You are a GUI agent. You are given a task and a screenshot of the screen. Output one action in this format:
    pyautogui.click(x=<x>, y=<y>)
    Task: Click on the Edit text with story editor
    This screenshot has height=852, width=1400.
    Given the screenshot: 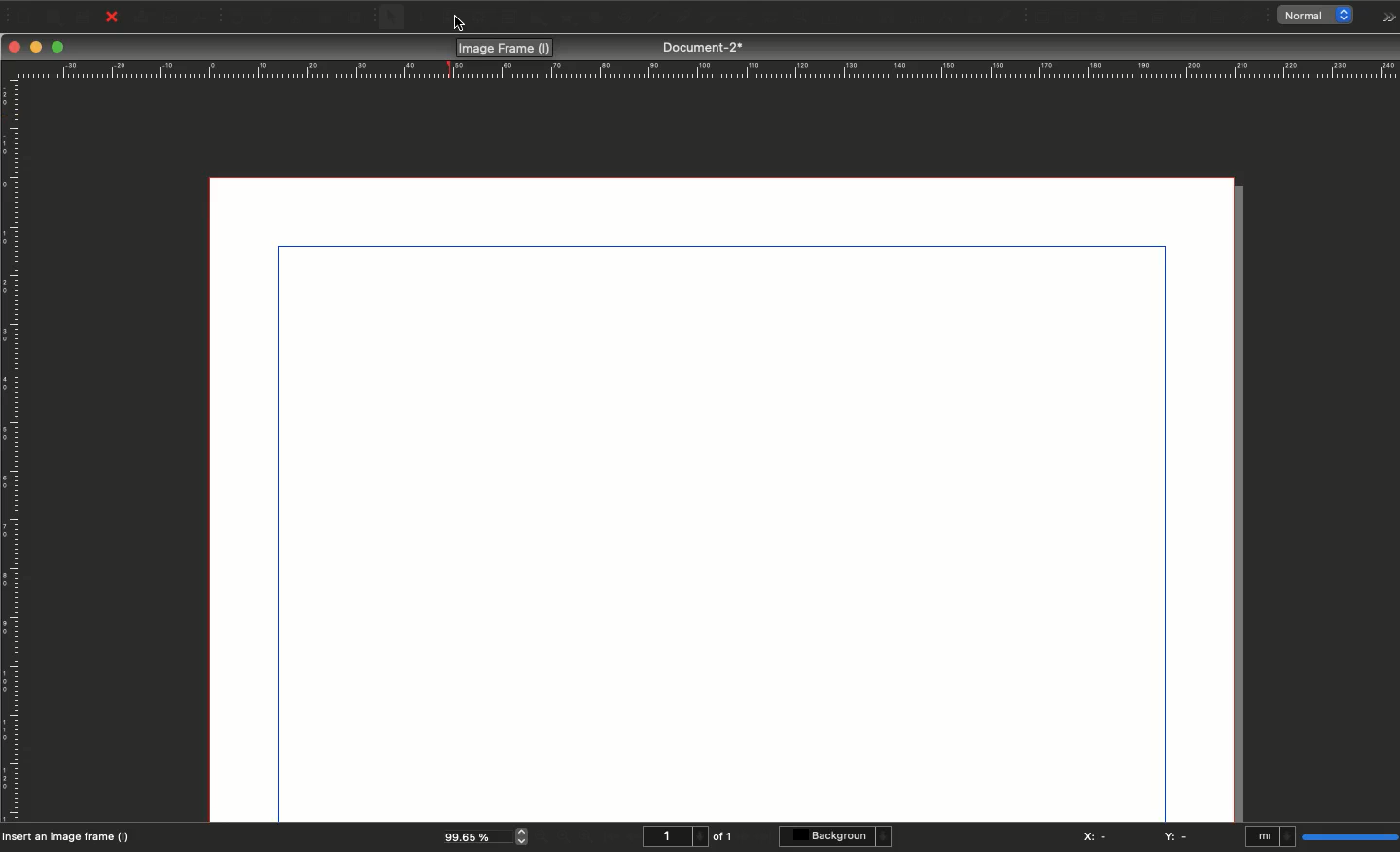 What is the action you would take?
    pyautogui.click(x=841, y=18)
    